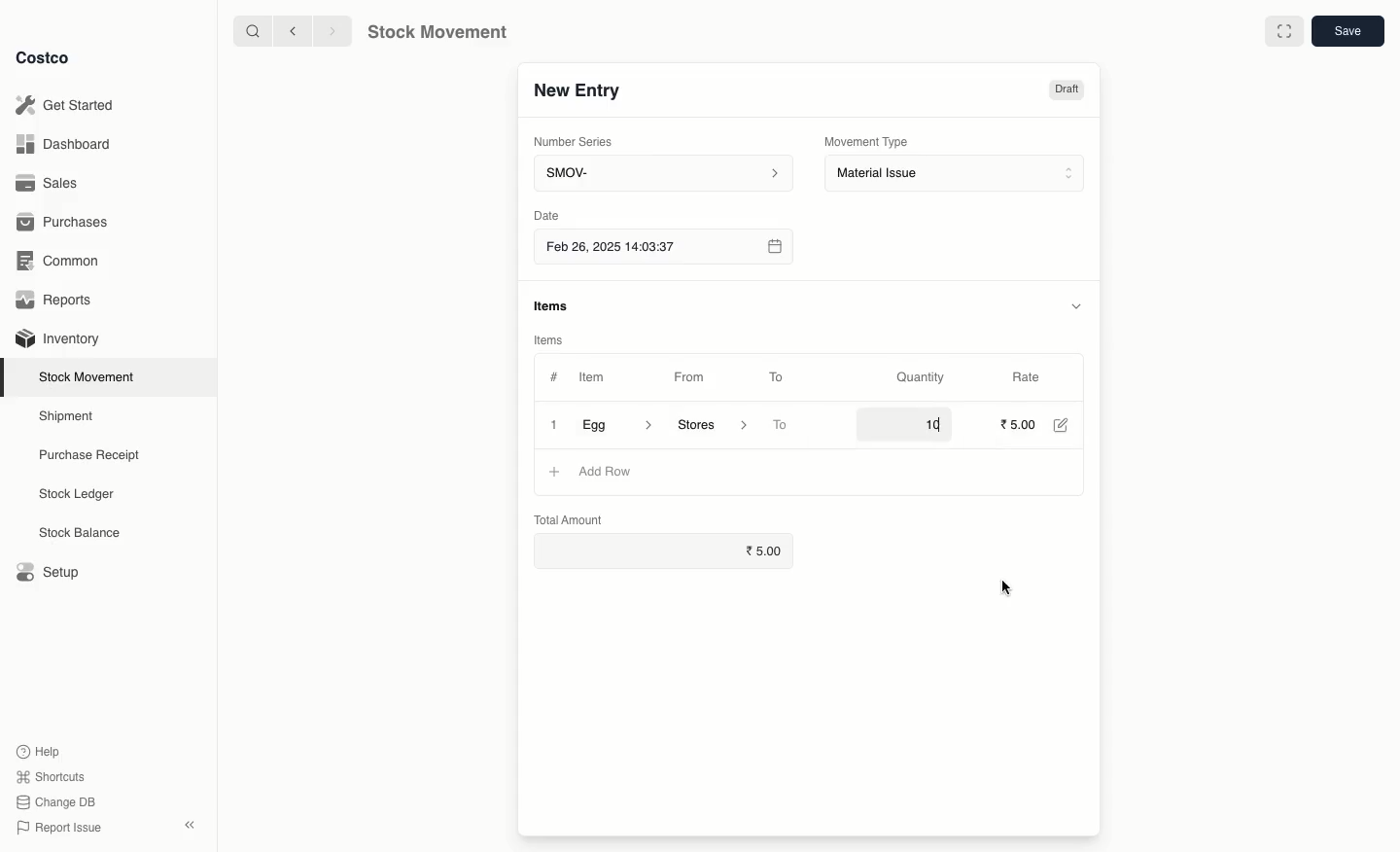 This screenshot has height=852, width=1400. I want to click on Add row, so click(604, 472).